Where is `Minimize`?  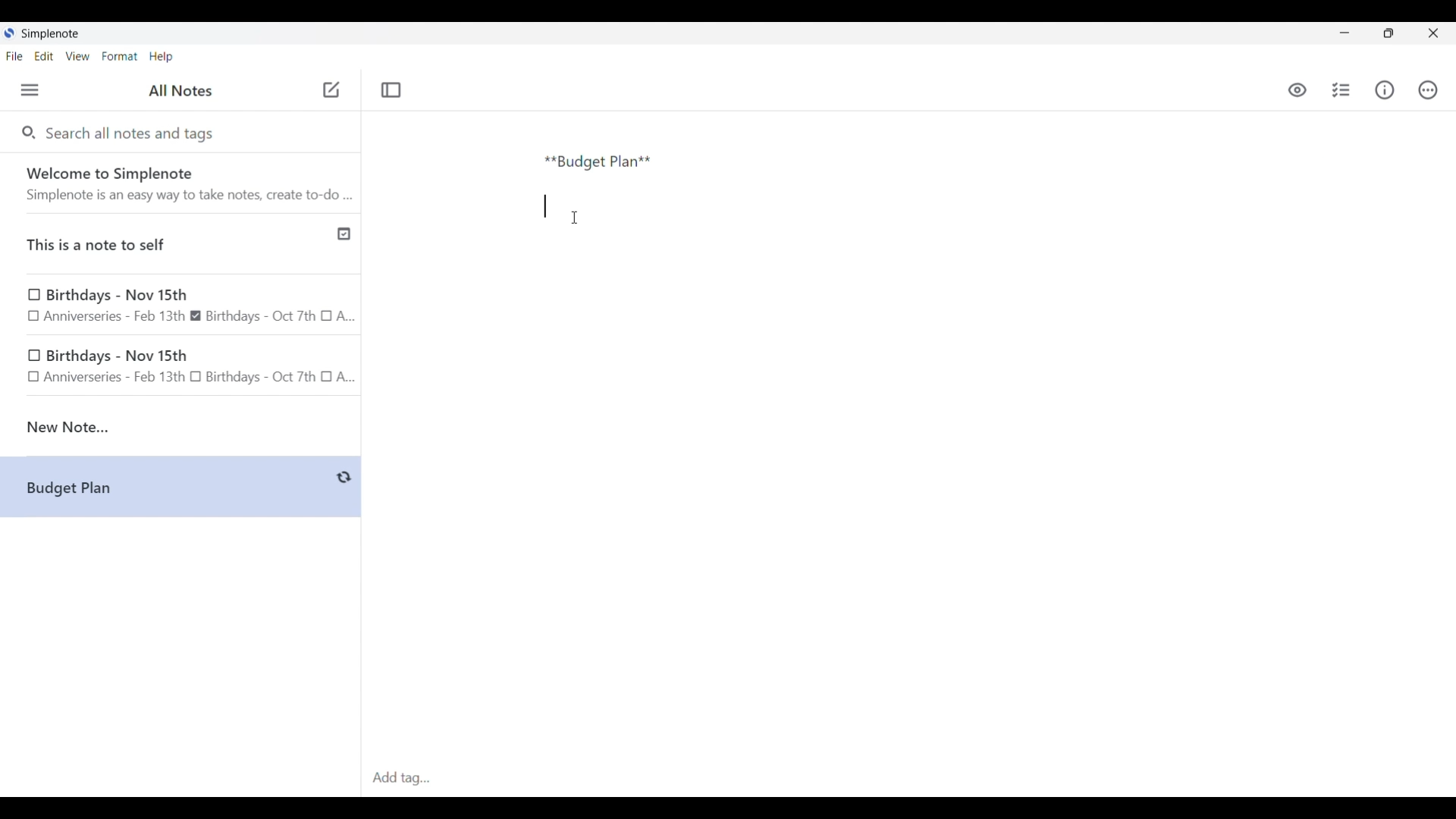
Minimize is located at coordinates (1345, 33).